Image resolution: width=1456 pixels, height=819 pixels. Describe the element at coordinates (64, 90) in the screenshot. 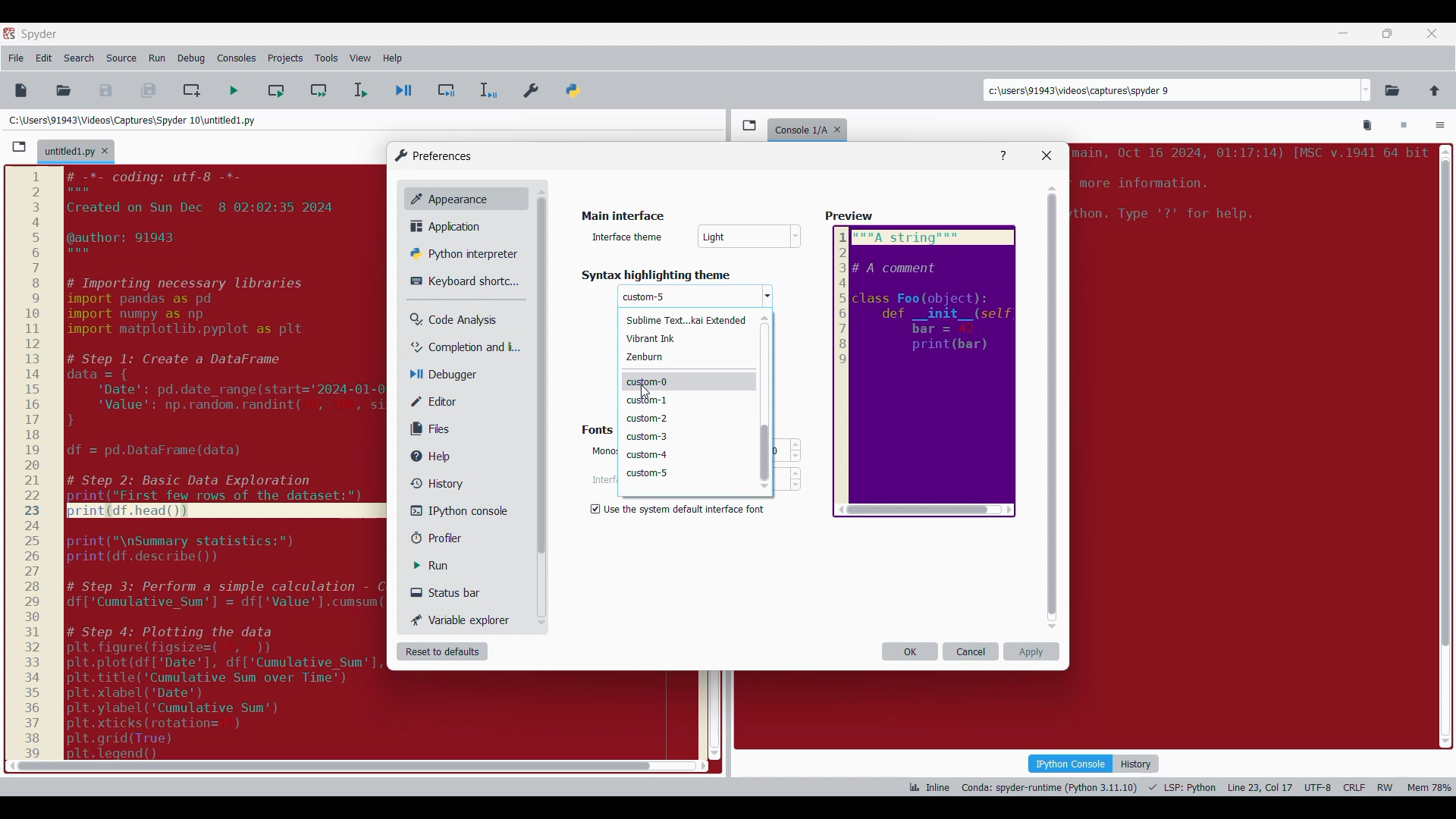

I see `Open` at that location.